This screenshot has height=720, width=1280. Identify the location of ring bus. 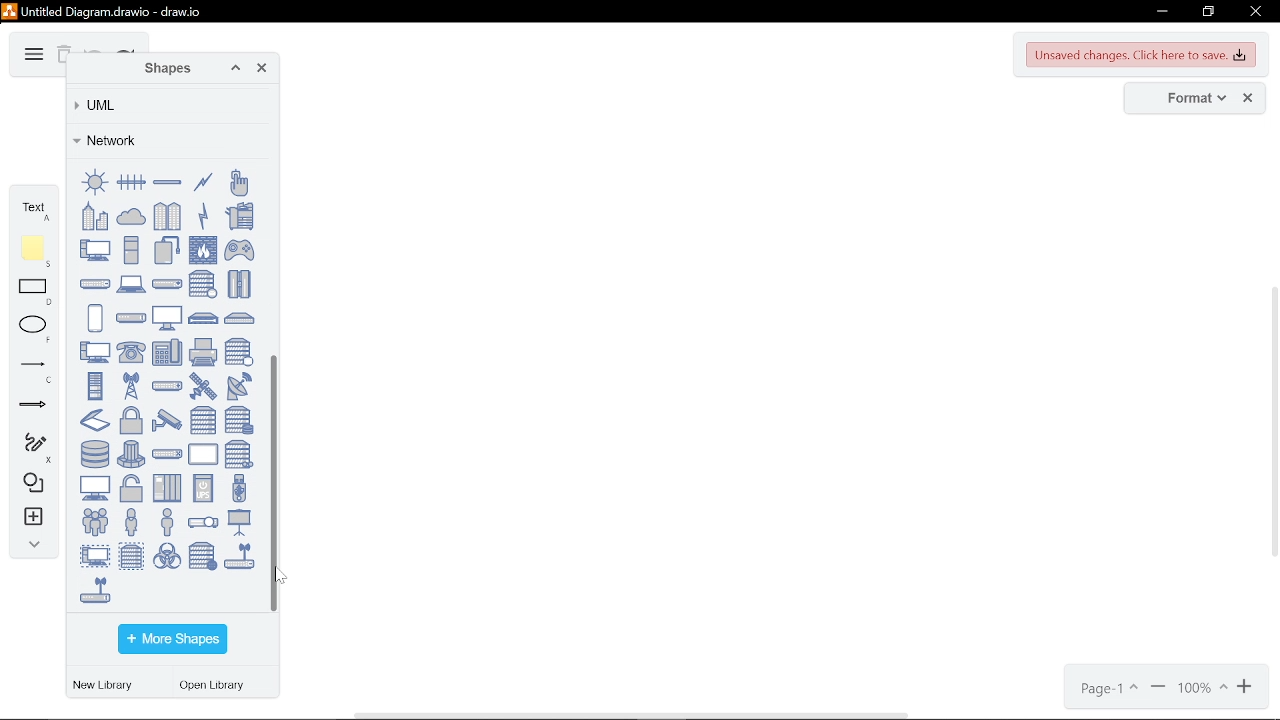
(95, 182).